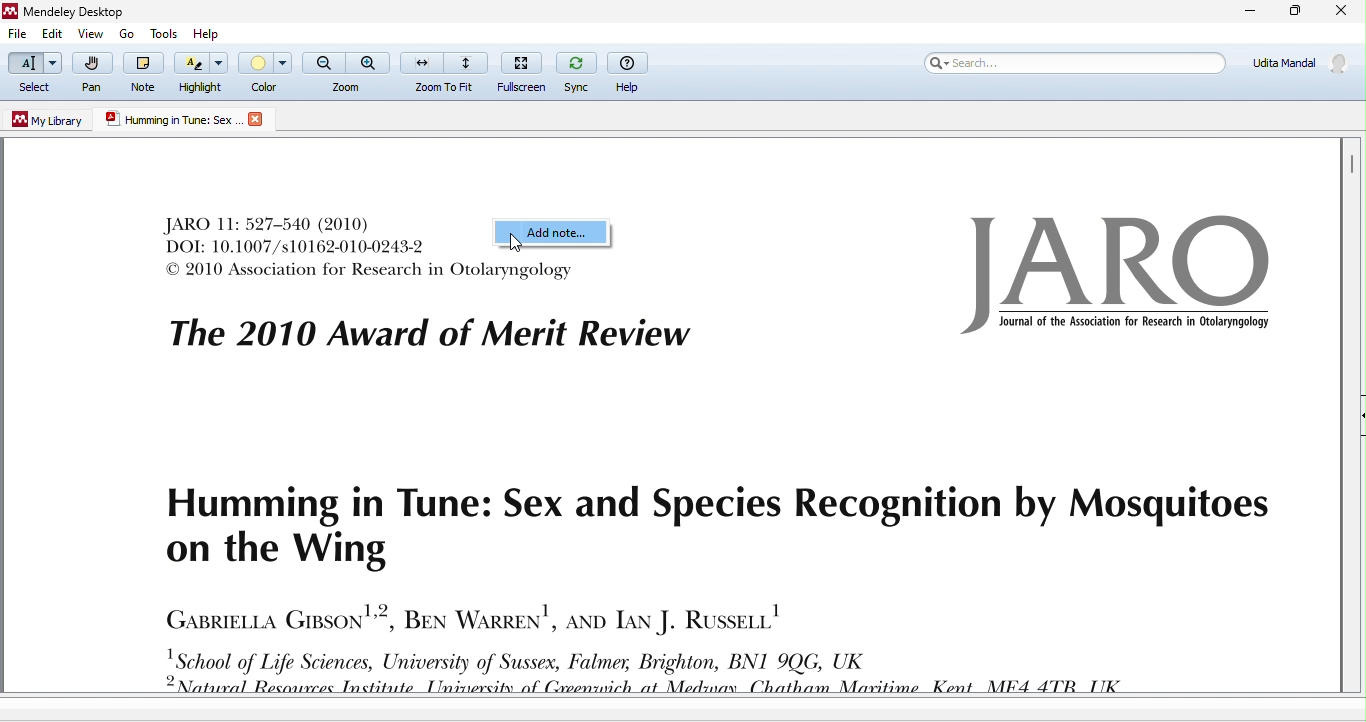 The width and height of the screenshot is (1366, 722). Describe the element at coordinates (1250, 12) in the screenshot. I see `minimize` at that location.